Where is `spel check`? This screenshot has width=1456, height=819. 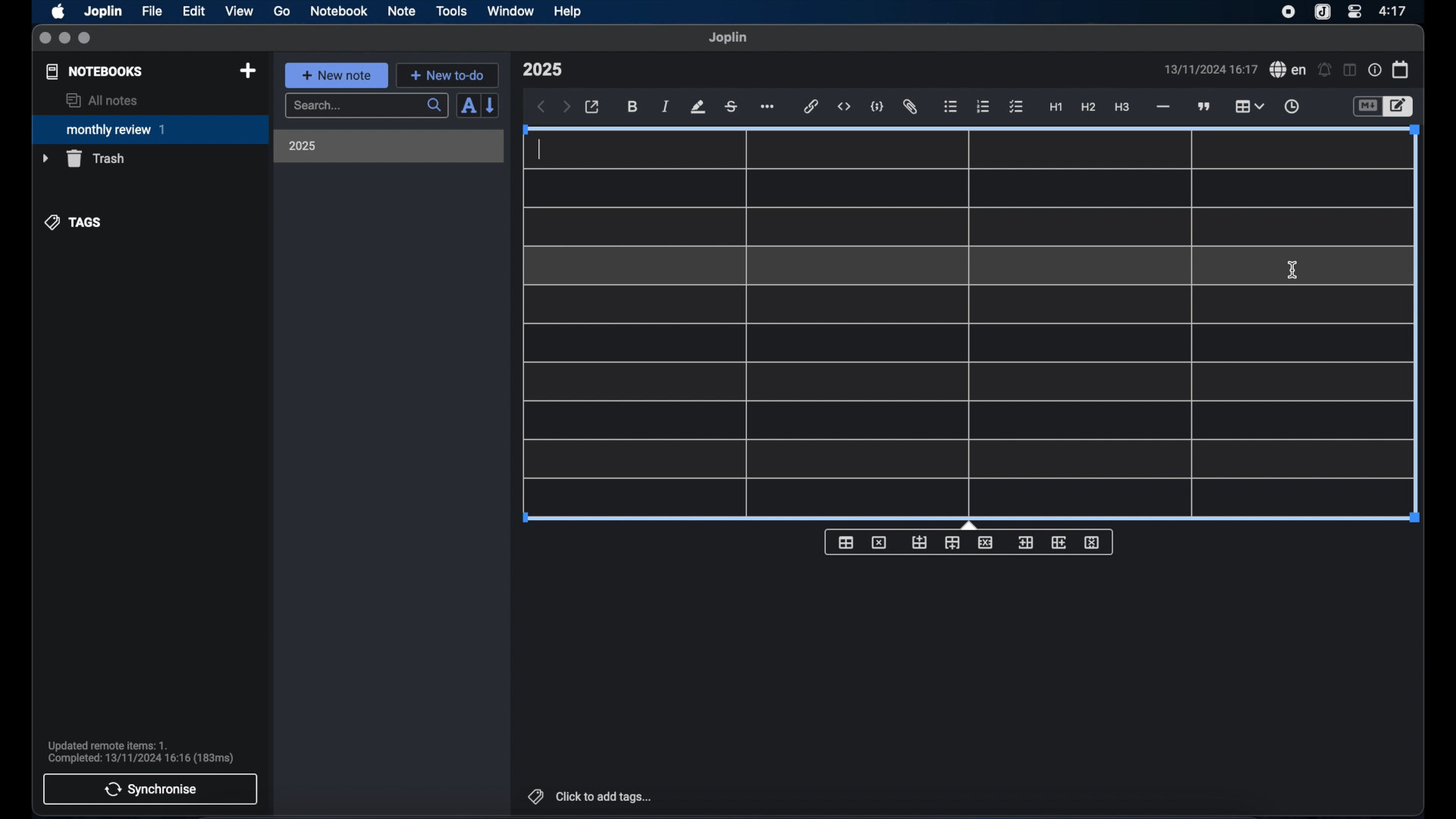 spel check is located at coordinates (1288, 70).